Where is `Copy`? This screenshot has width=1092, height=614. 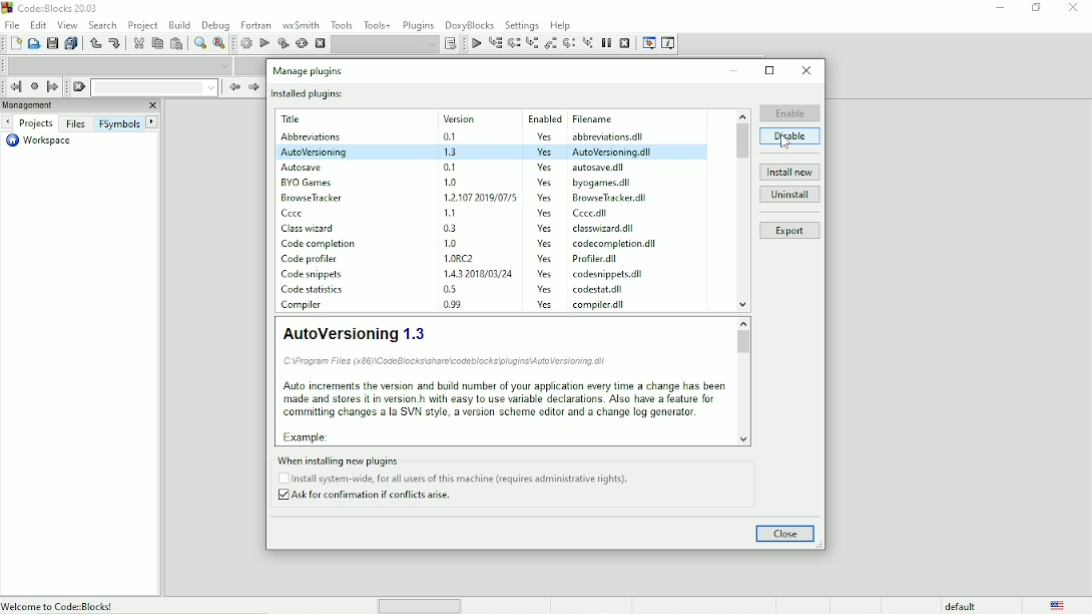 Copy is located at coordinates (157, 43).